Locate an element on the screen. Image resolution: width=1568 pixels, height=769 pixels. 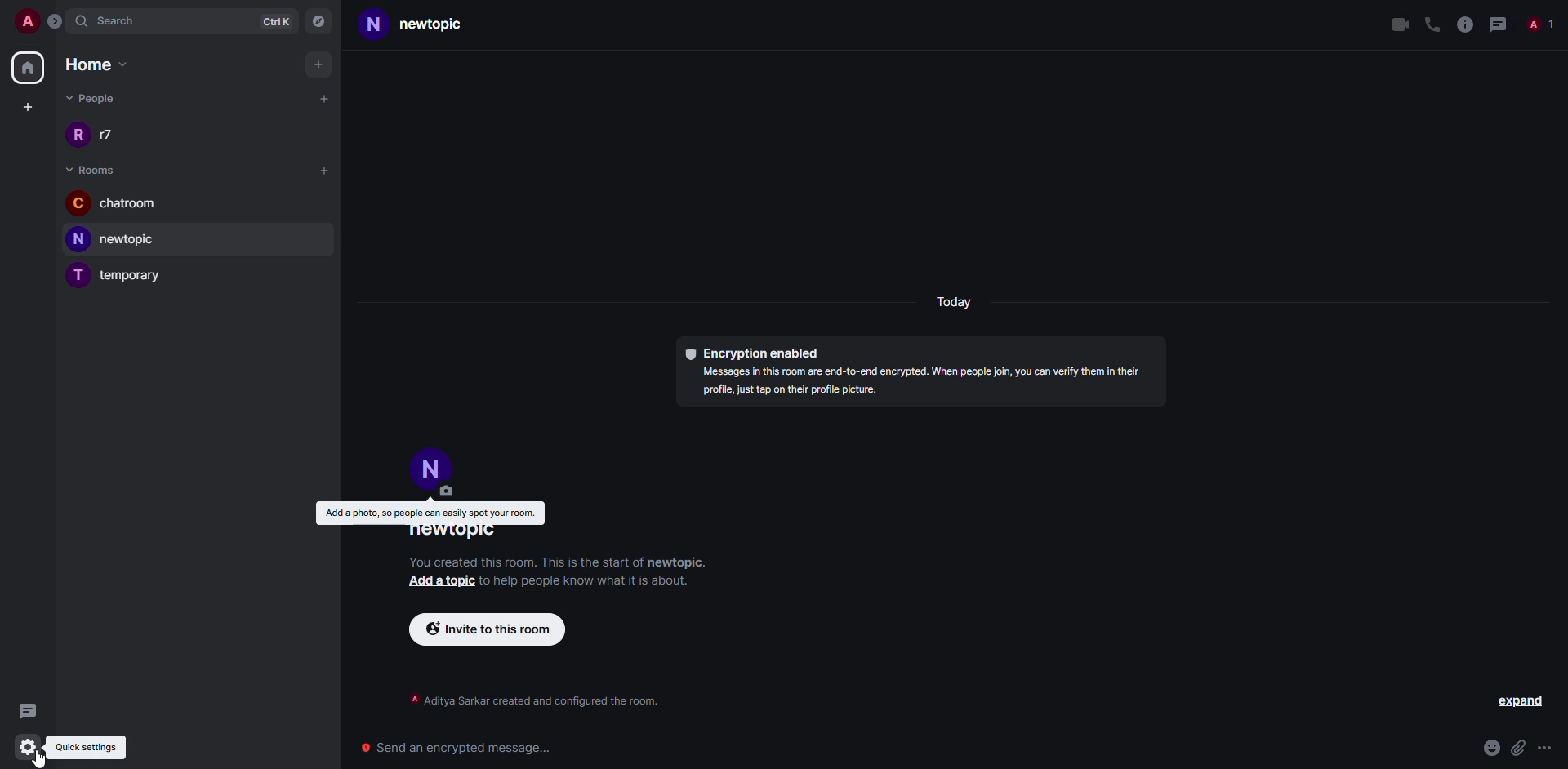
info is located at coordinates (555, 561).